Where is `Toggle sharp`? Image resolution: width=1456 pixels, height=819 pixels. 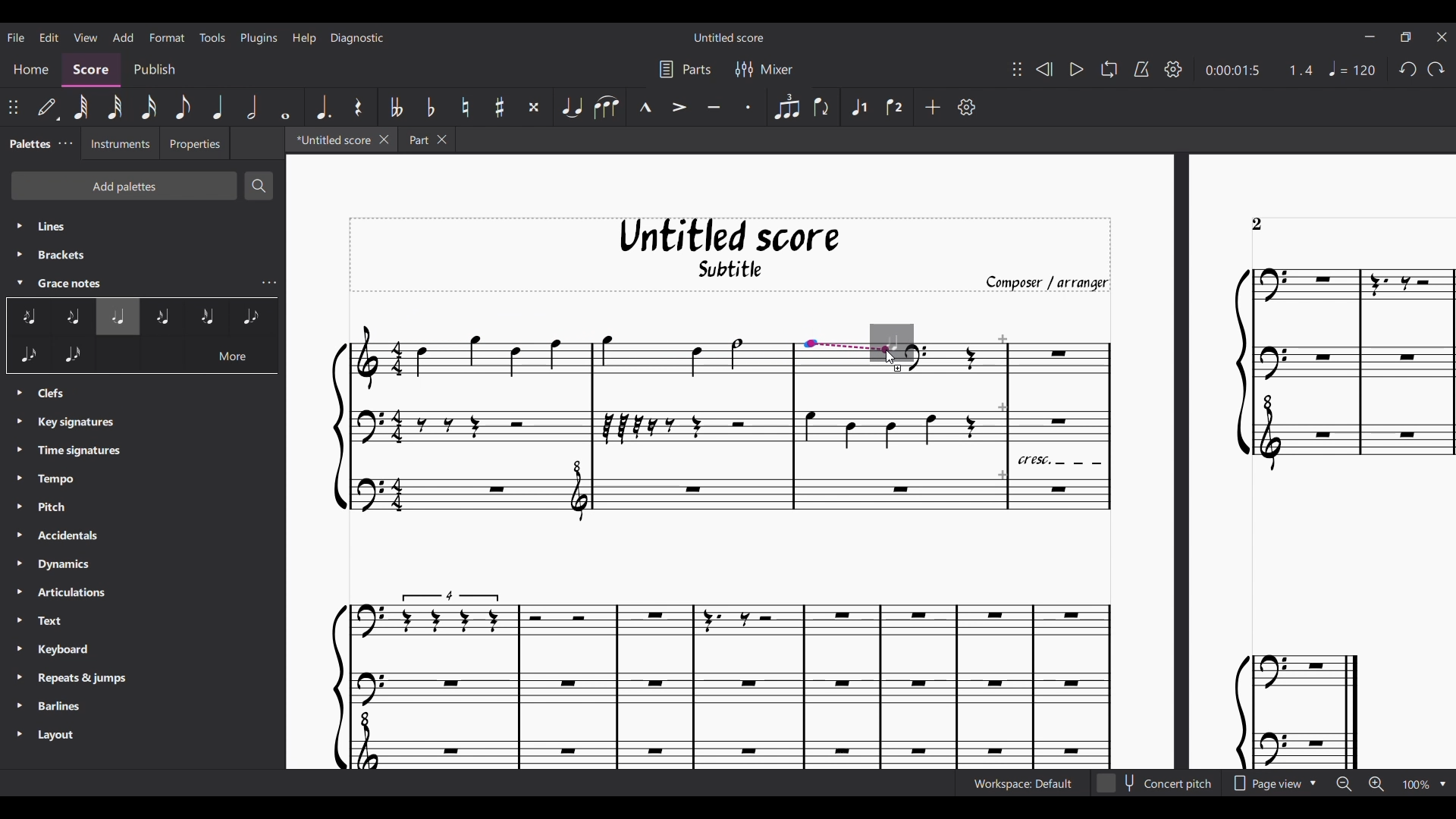 Toggle sharp is located at coordinates (499, 108).